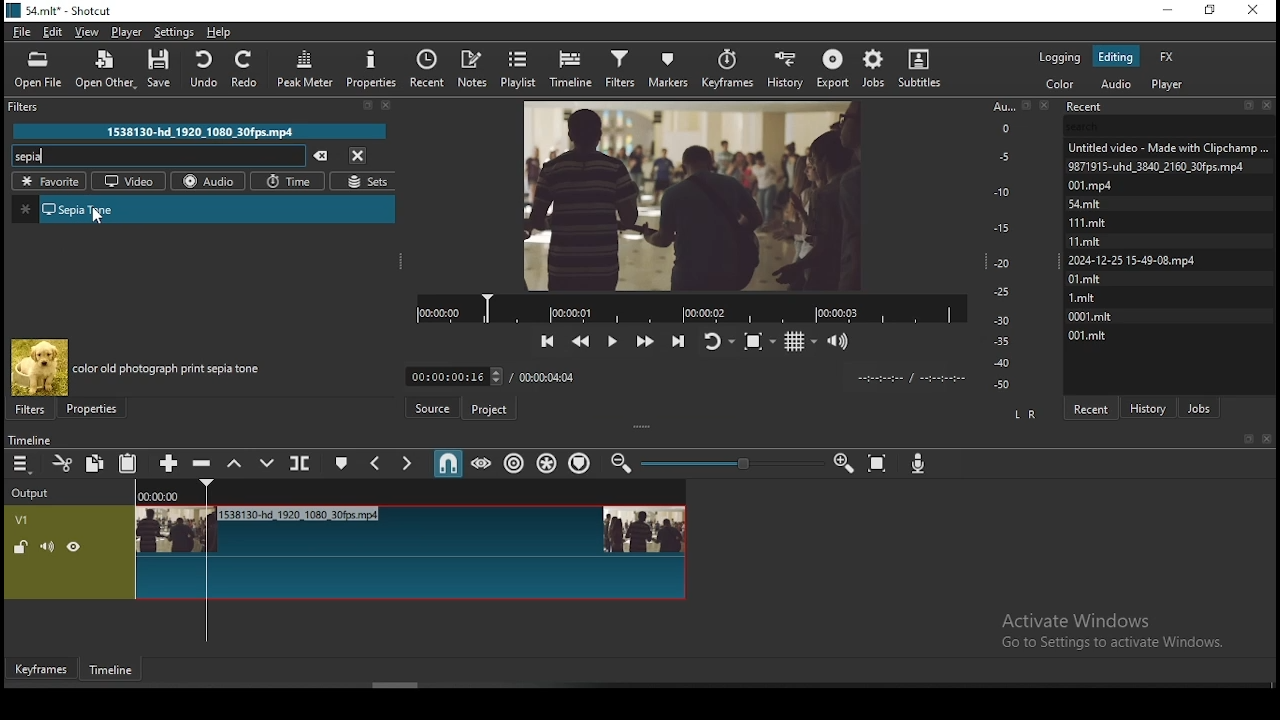  What do you see at coordinates (1003, 245) in the screenshot?
I see `scale` at bounding box center [1003, 245].